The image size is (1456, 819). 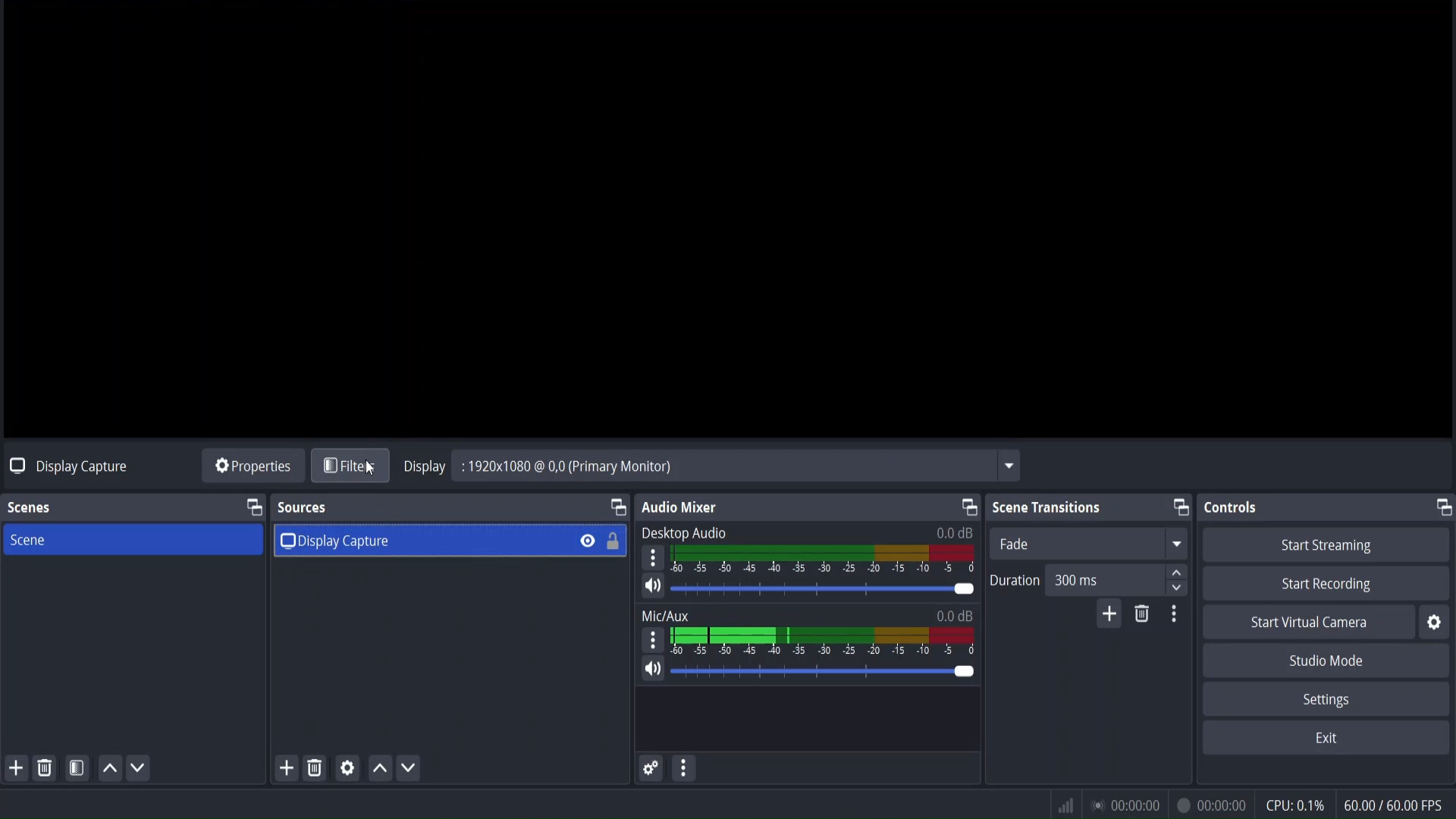 I want to click on mic/aux volume, so click(x=824, y=641).